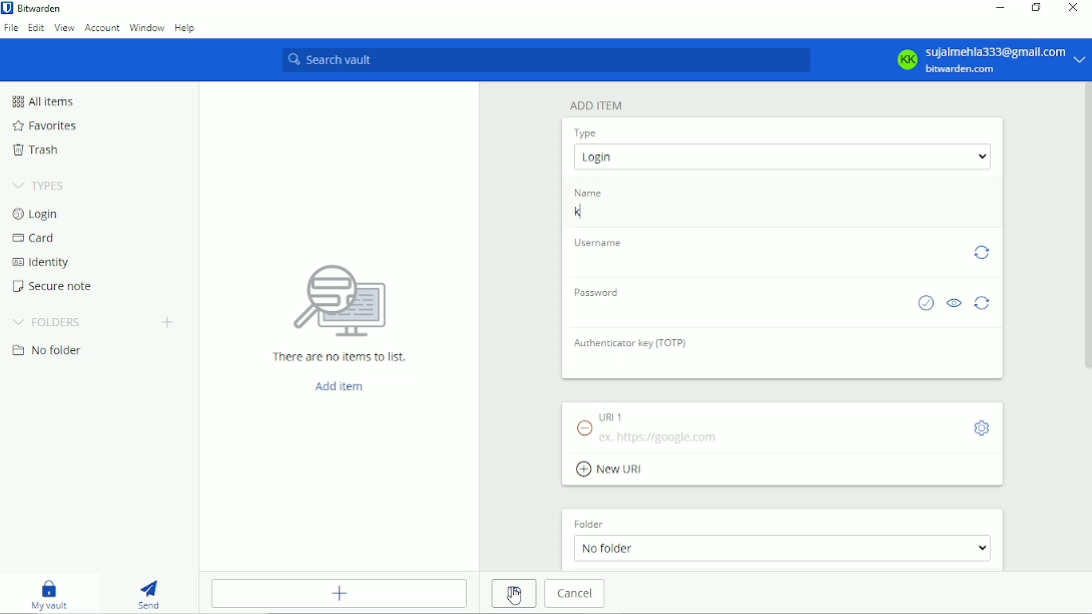 This screenshot has width=1092, height=614. Describe the element at coordinates (595, 106) in the screenshot. I see `Add item` at that location.